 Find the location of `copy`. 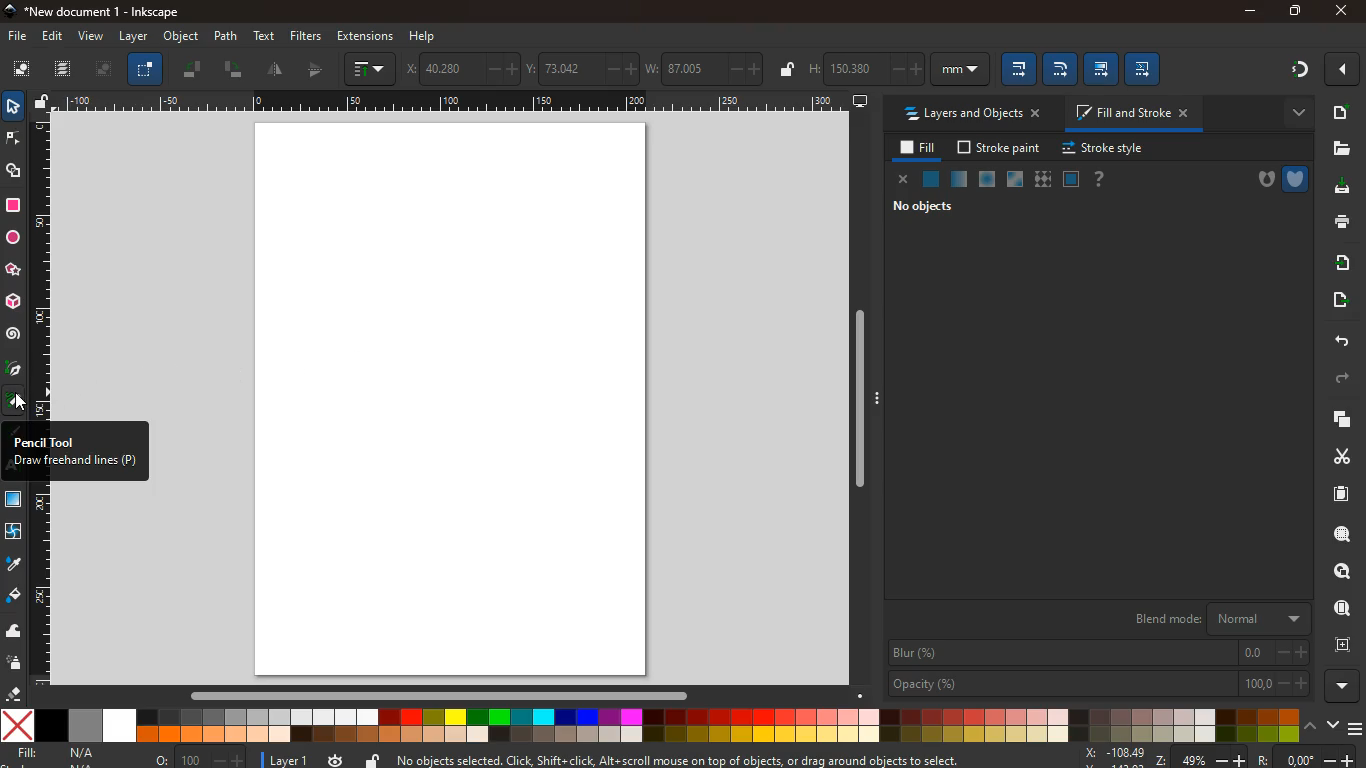

copy is located at coordinates (1338, 420).